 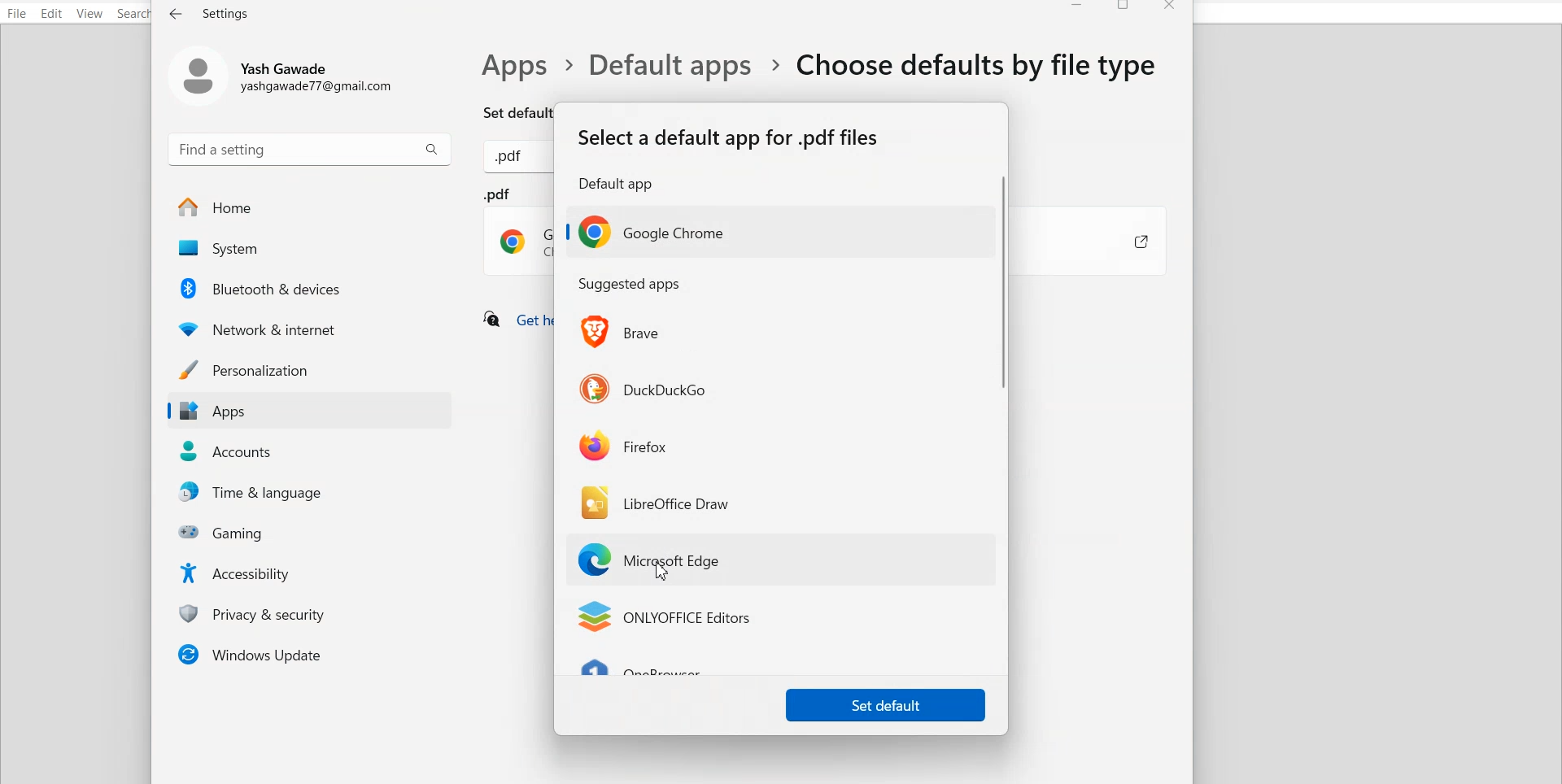 I want to click on .pdf, so click(x=519, y=232).